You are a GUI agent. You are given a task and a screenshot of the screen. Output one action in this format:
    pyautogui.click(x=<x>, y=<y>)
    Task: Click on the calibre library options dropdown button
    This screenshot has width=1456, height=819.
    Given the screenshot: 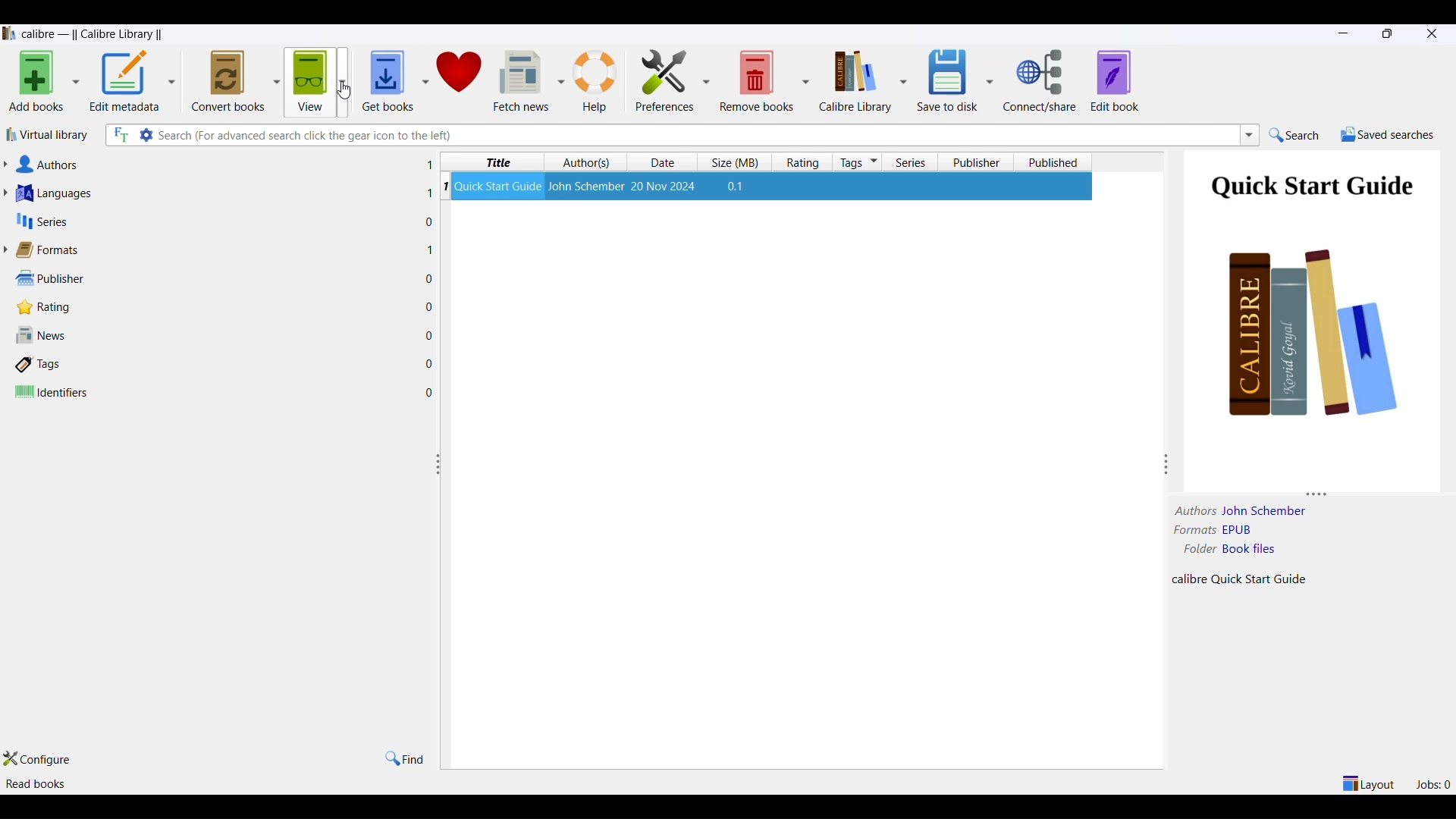 What is the action you would take?
    pyautogui.click(x=902, y=81)
    